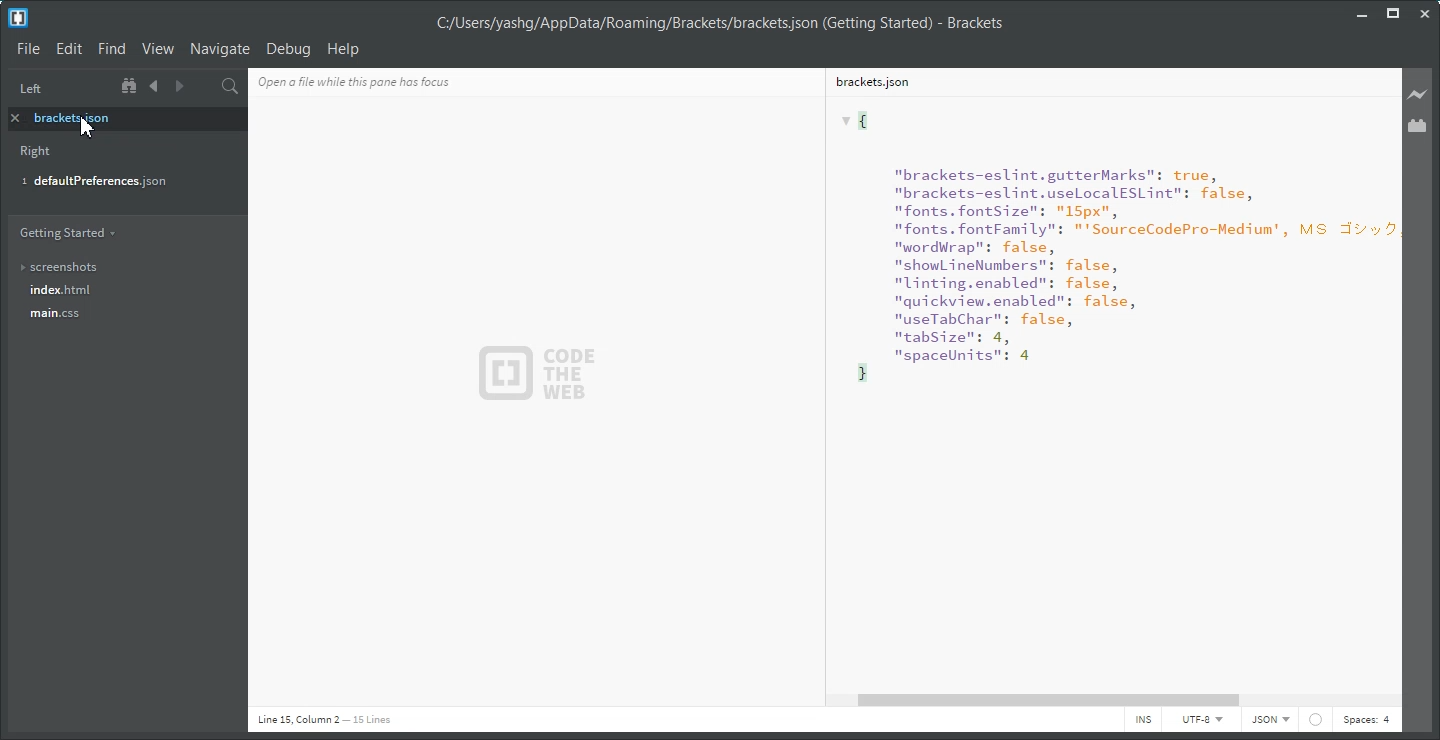 The width and height of the screenshot is (1440, 740). I want to click on Logo, so click(18, 18).